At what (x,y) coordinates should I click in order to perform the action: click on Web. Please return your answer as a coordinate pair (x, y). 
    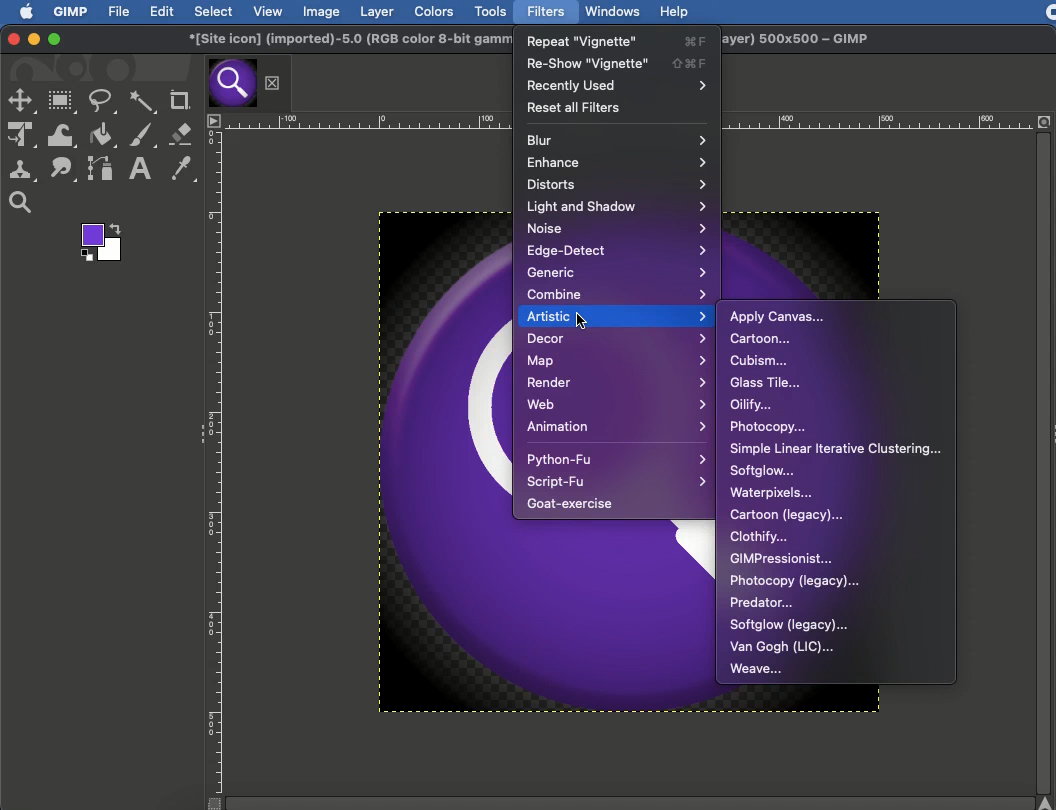
    Looking at the image, I should click on (617, 402).